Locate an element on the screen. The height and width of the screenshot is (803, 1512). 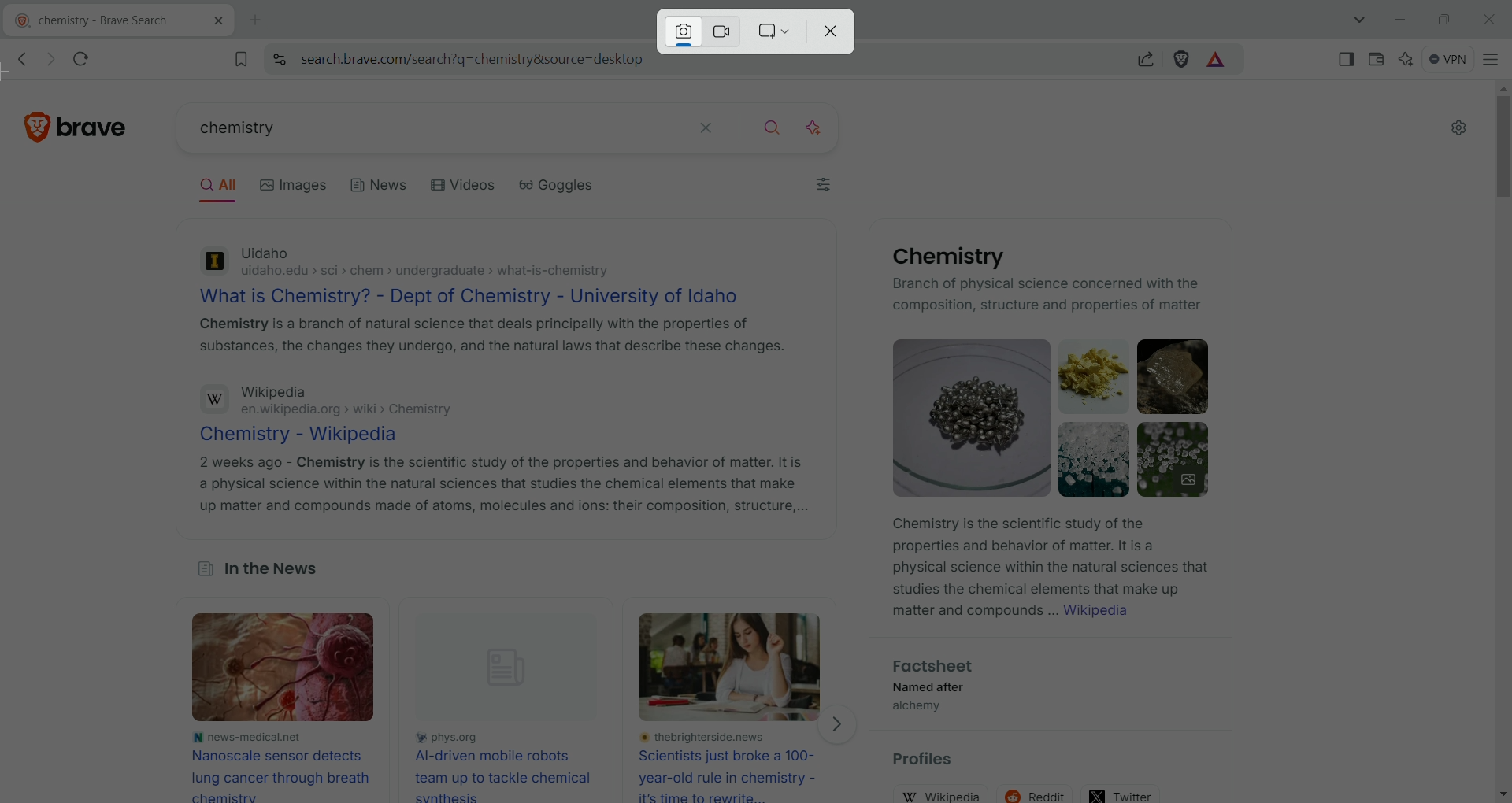
chemistry is located at coordinates (414, 130).